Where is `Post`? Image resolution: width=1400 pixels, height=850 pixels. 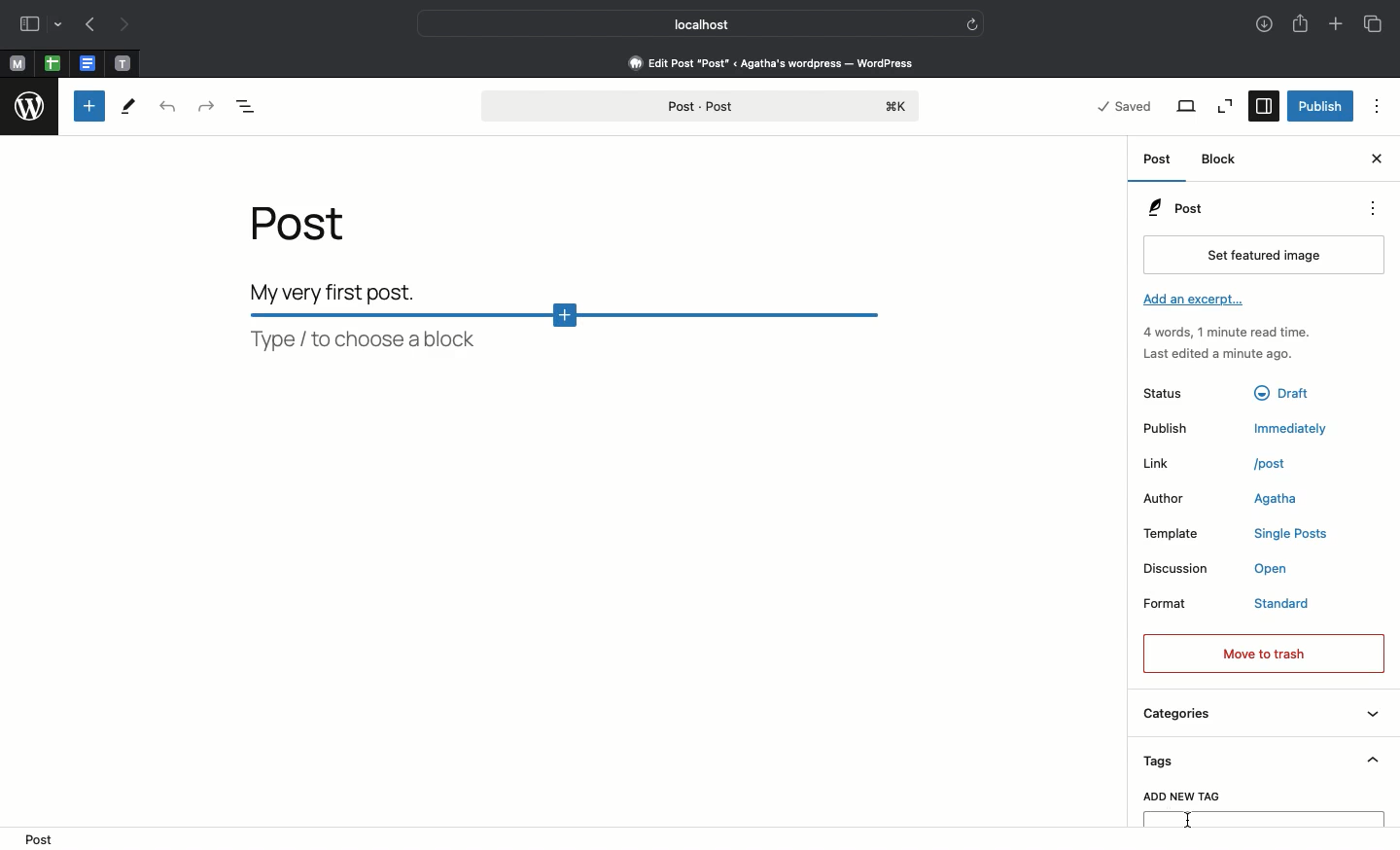 Post is located at coordinates (299, 224).